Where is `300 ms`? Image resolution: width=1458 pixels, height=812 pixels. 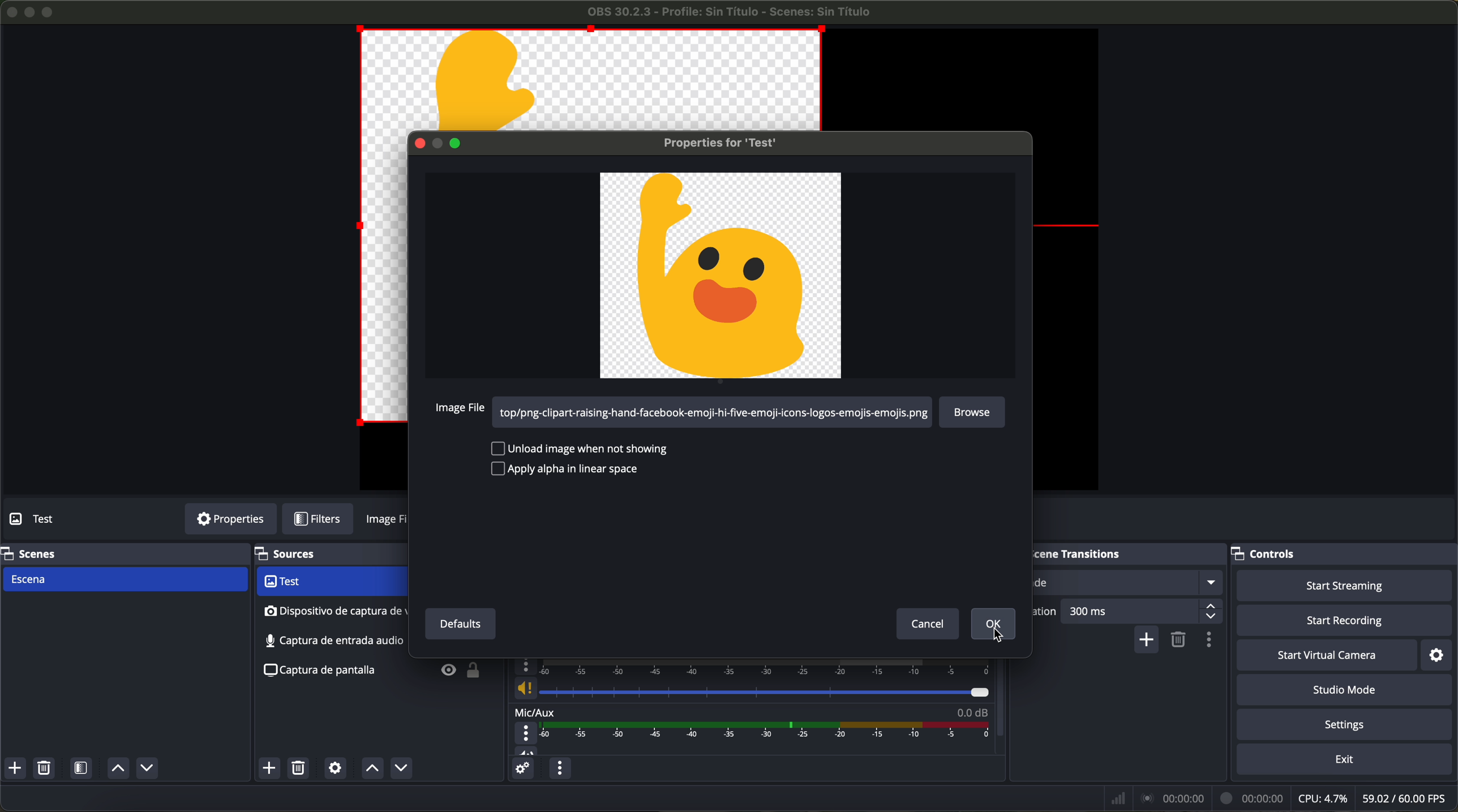 300 ms is located at coordinates (1143, 611).